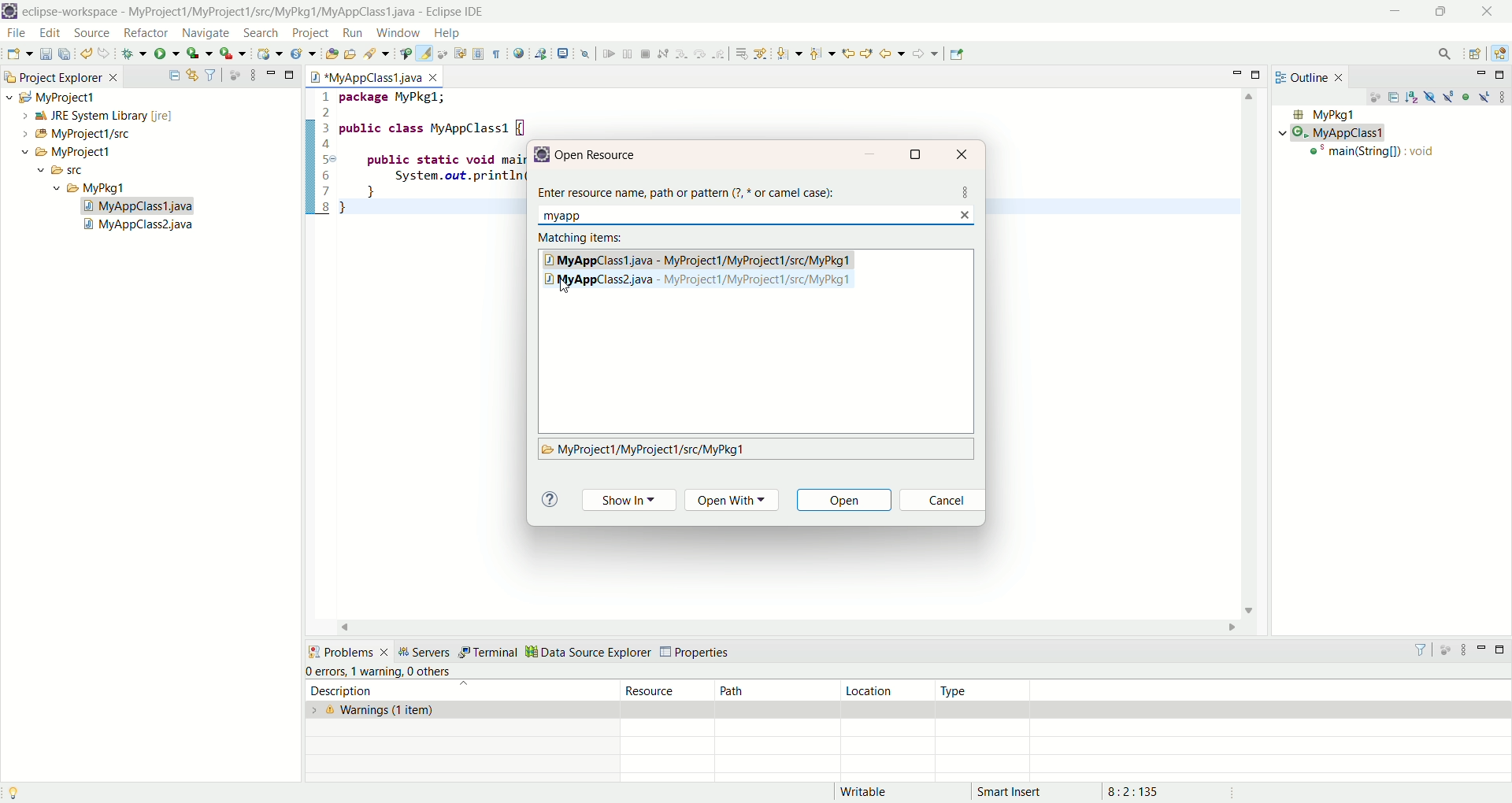  Describe the element at coordinates (1480, 75) in the screenshot. I see `minimize` at that location.